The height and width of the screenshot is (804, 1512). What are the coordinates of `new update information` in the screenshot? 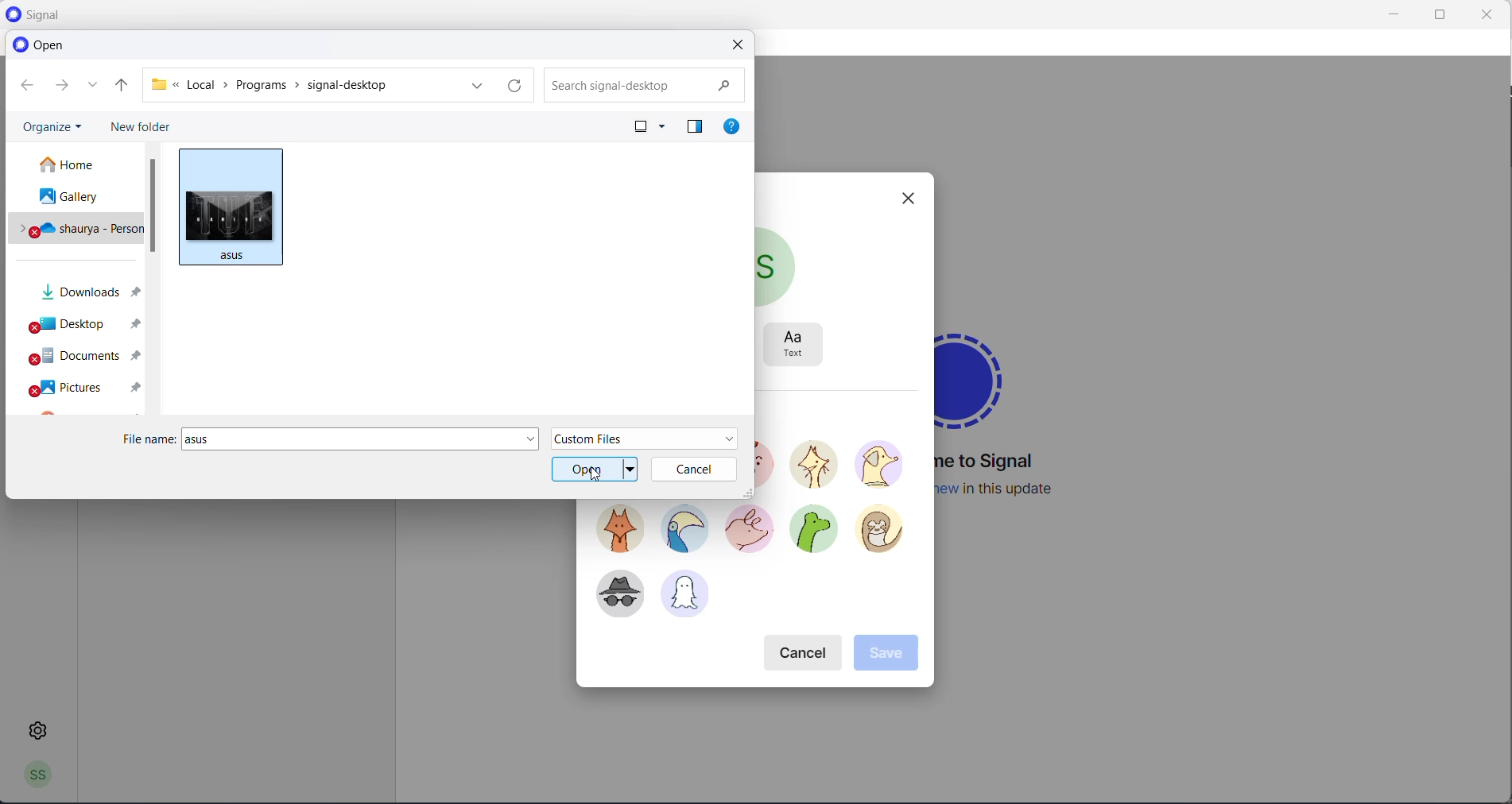 It's located at (1008, 489).